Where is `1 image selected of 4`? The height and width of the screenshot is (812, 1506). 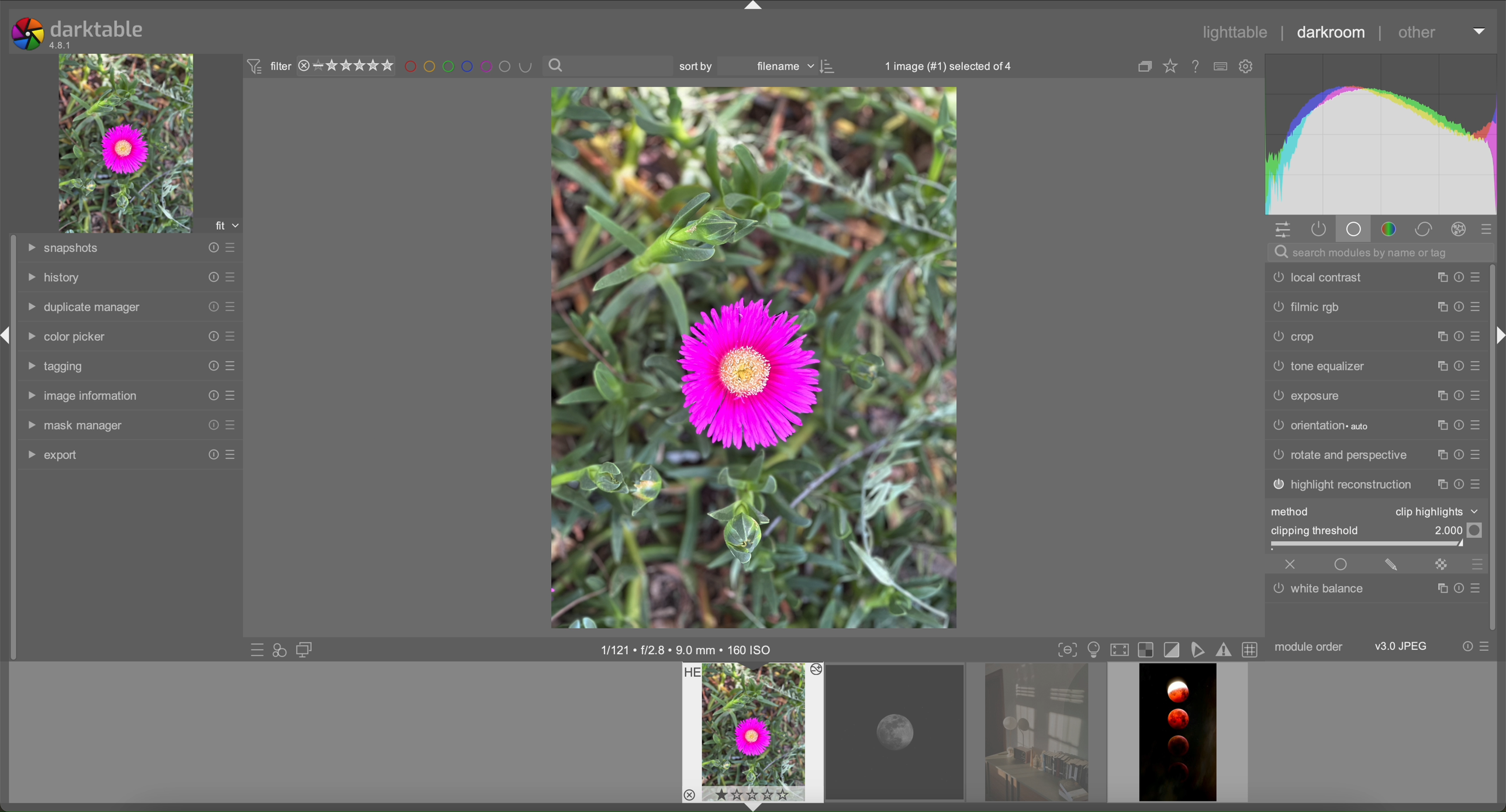 1 image selected of 4 is located at coordinates (942, 65).